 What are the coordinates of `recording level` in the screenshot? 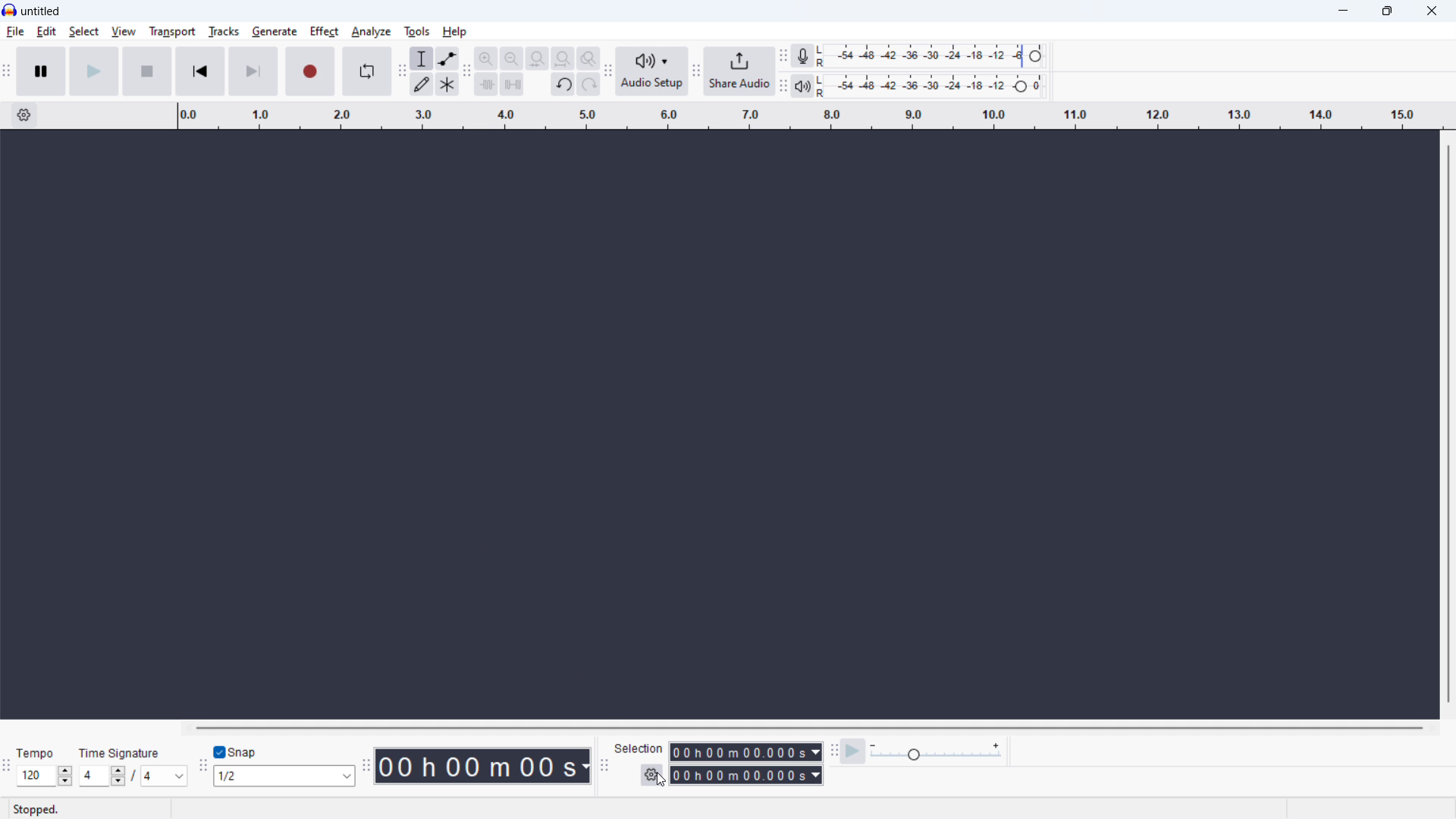 It's located at (930, 56).